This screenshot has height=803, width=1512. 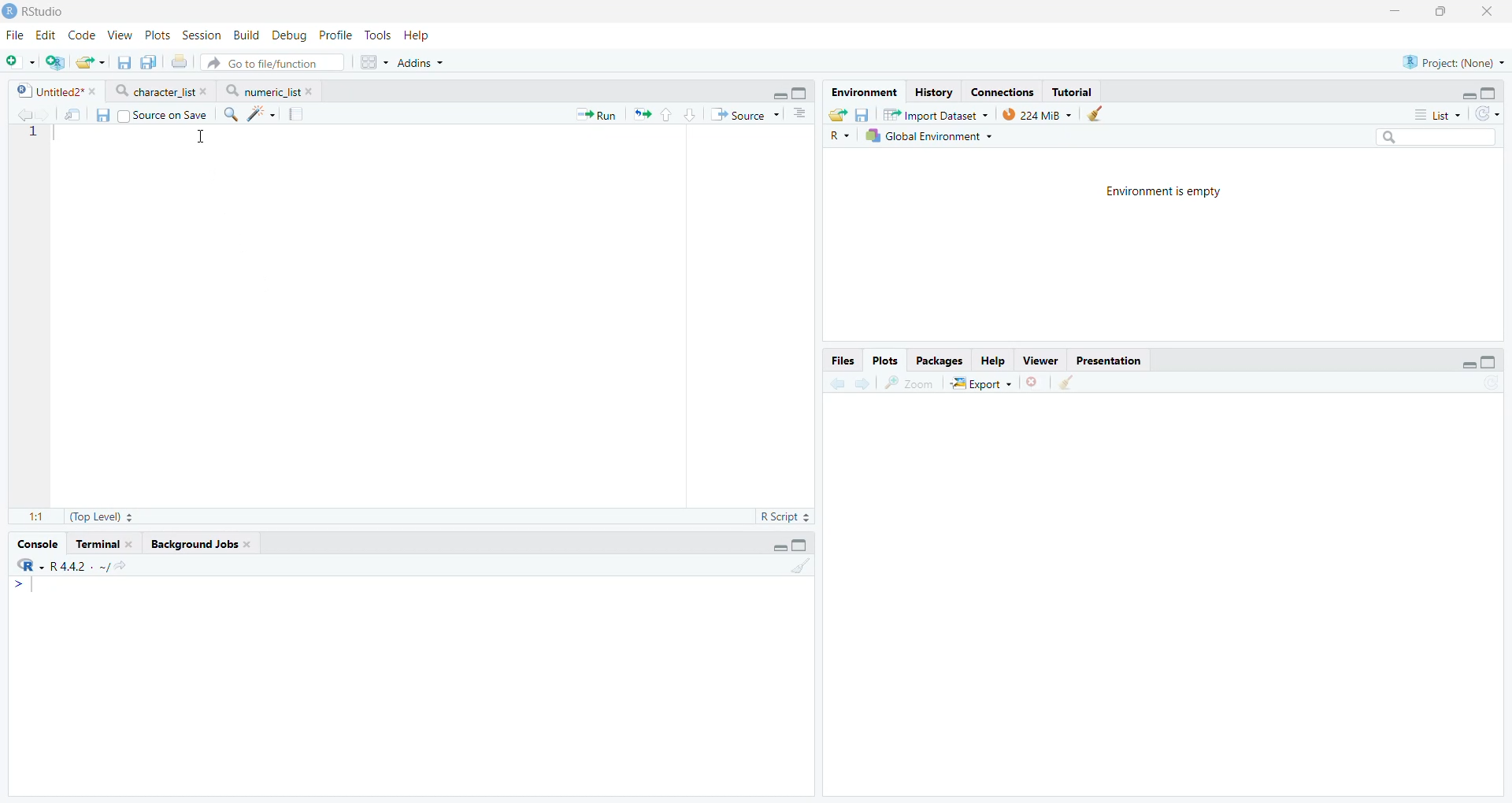 What do you see at coordinates (124, 62) in the screenshot?
I see `Save current file` at bounding box center [124, 62].